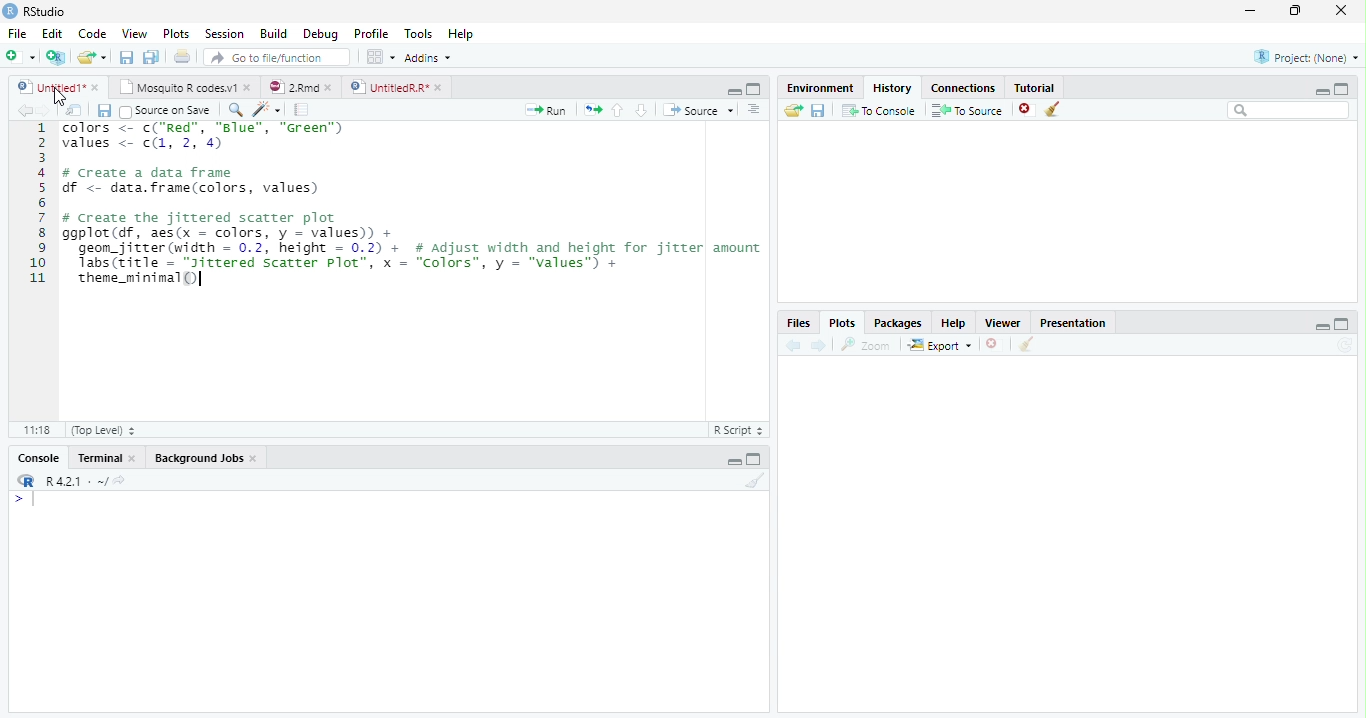 This screenshot has height=718, width=1366. Describe the element at coordinates (878, 111) in the screenshot. I see `To Console` at that location.